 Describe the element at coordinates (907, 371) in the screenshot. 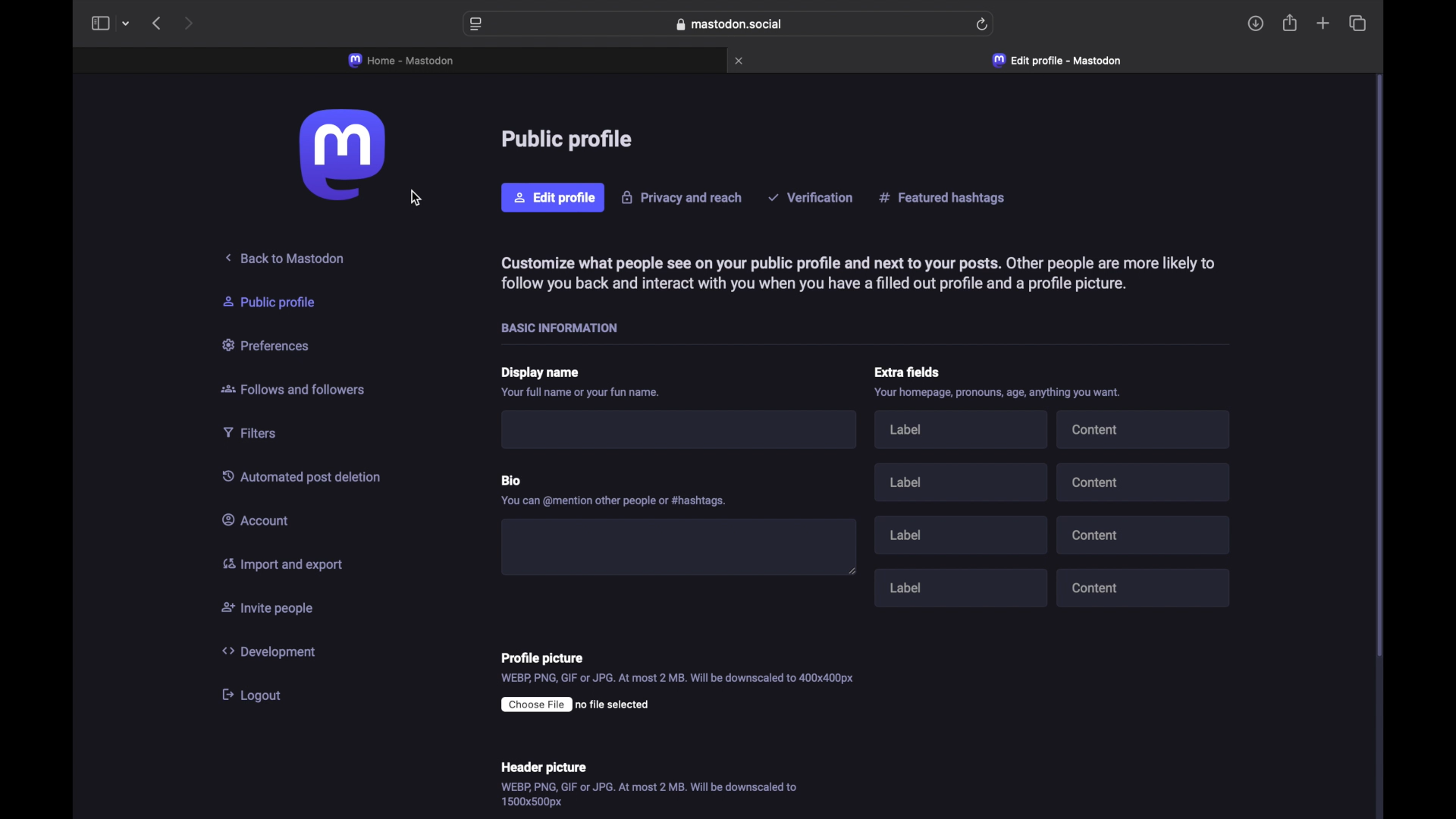

I see `extra fields` at that location.